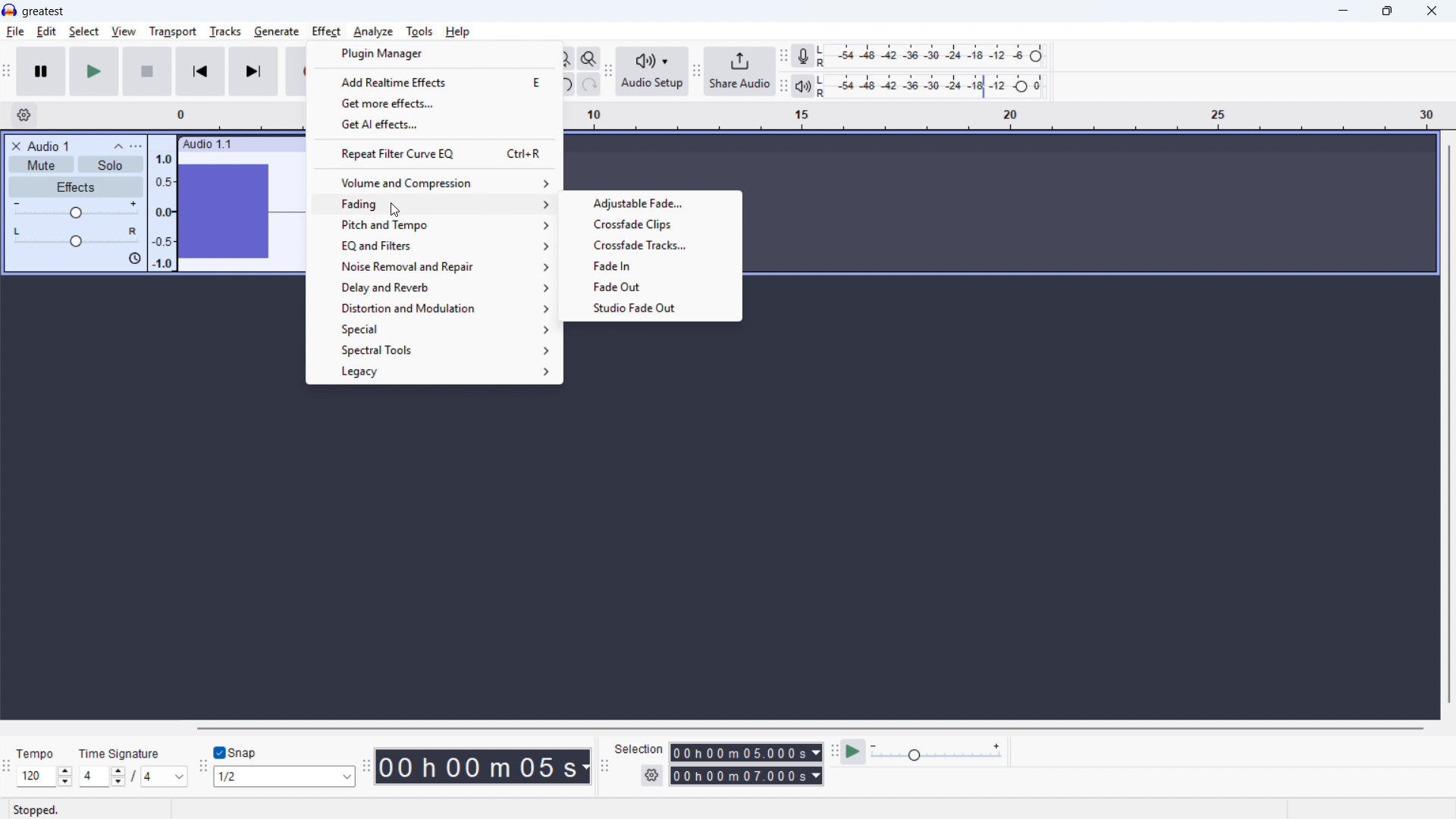 This screenshot has height=819, width=1456. I want to click on , so click(35, 755).